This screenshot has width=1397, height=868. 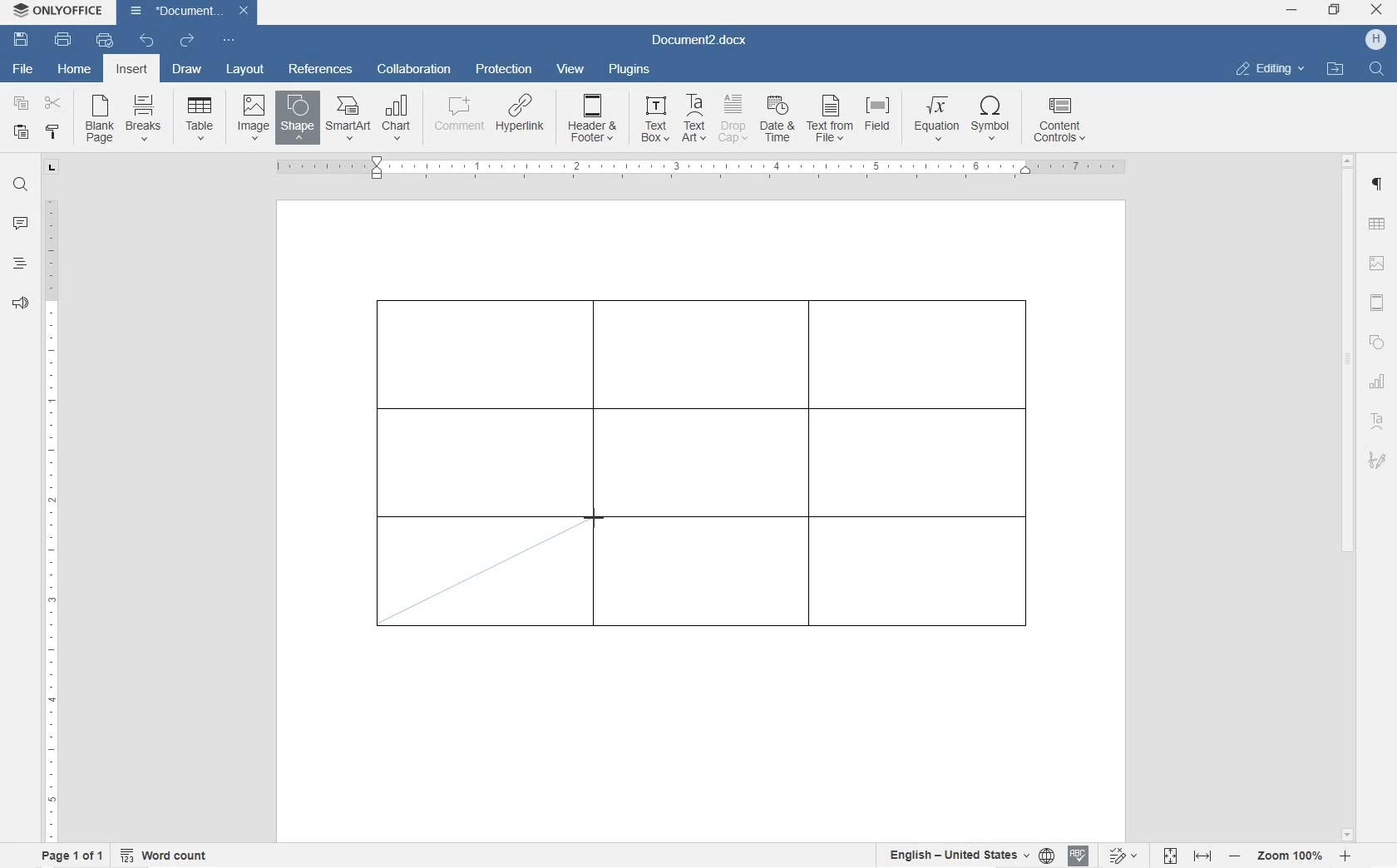 What do you see at coordinates (1376, 11) in the screenshot?
I see `close` at bounding box center [1376, 11].